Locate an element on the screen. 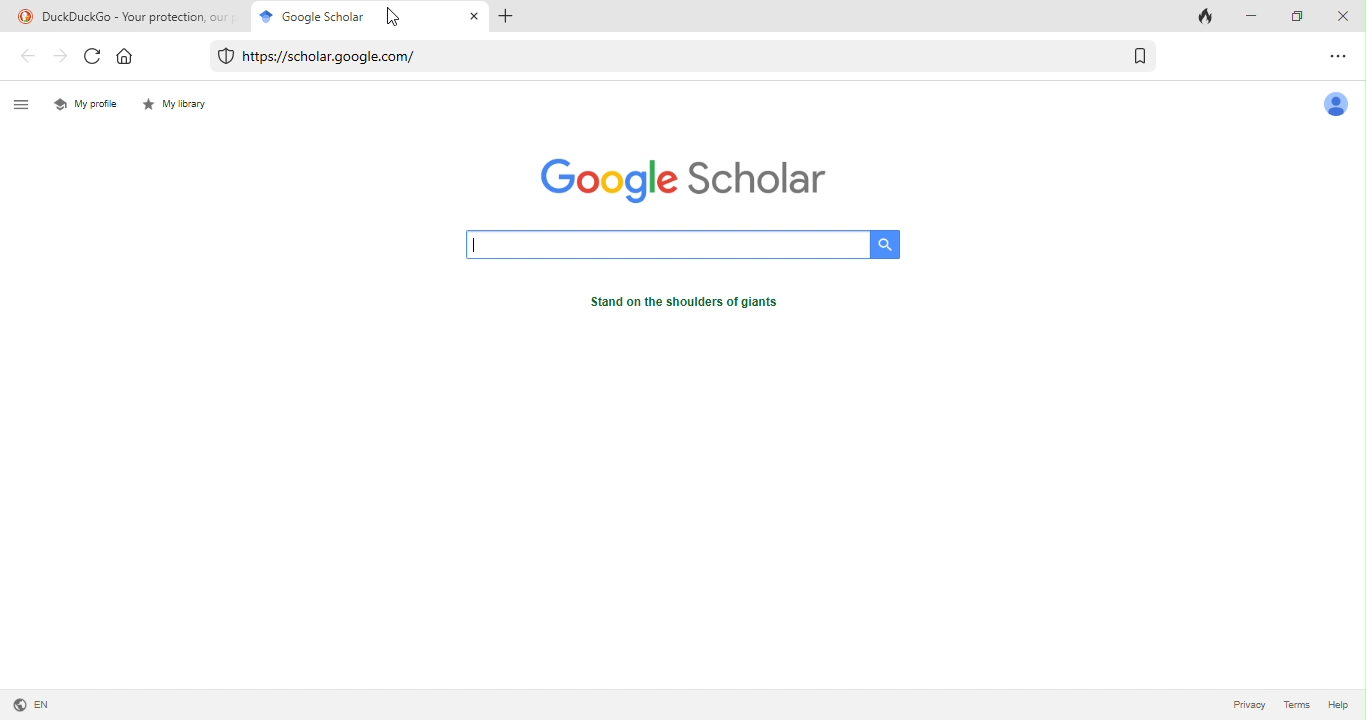 The width and height of the screenshot is (1366, 720). terms is located at coordinates (1296, 707).